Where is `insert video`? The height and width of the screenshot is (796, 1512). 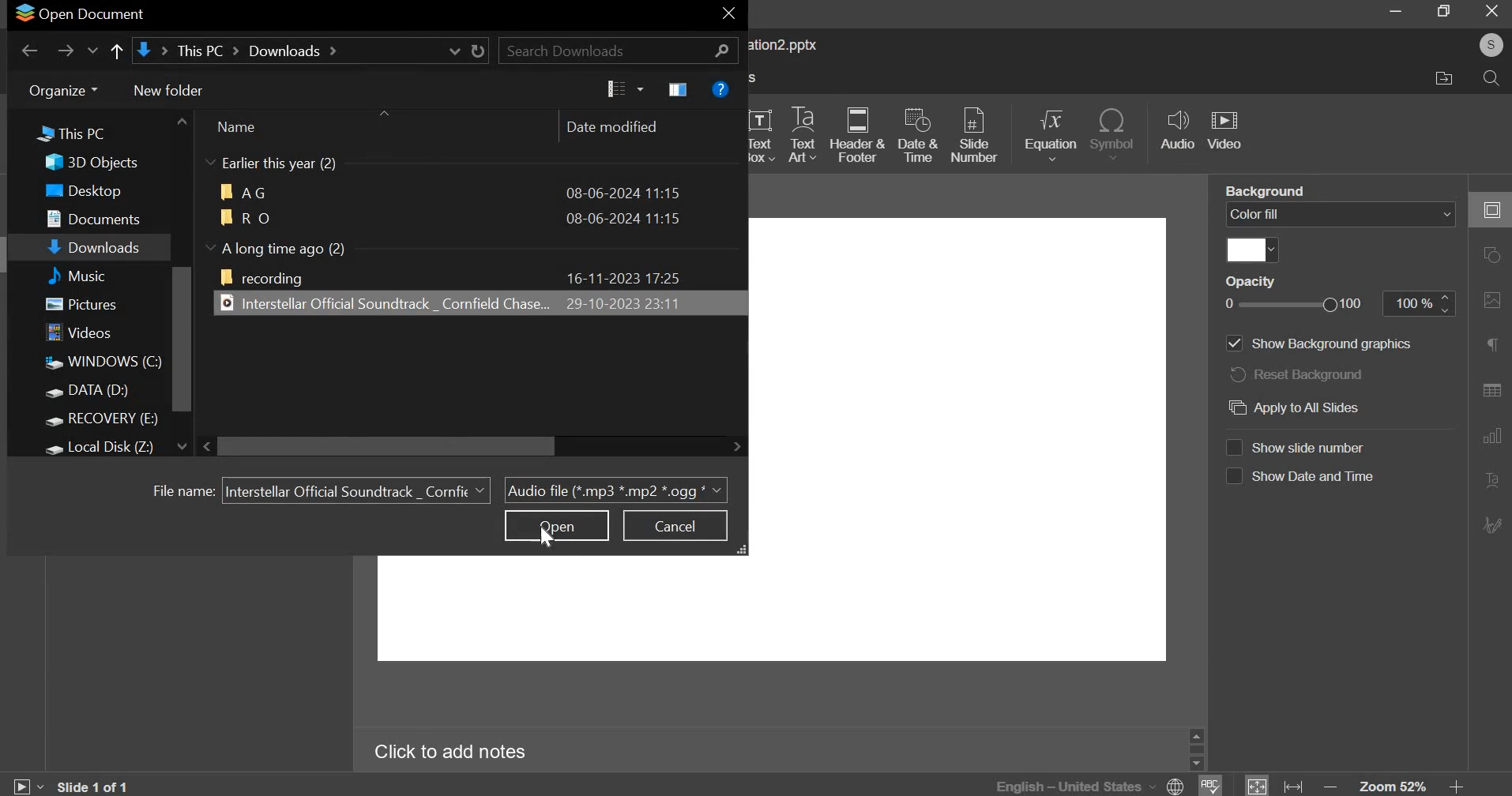
insert video is located at coordinates (1228, 133).